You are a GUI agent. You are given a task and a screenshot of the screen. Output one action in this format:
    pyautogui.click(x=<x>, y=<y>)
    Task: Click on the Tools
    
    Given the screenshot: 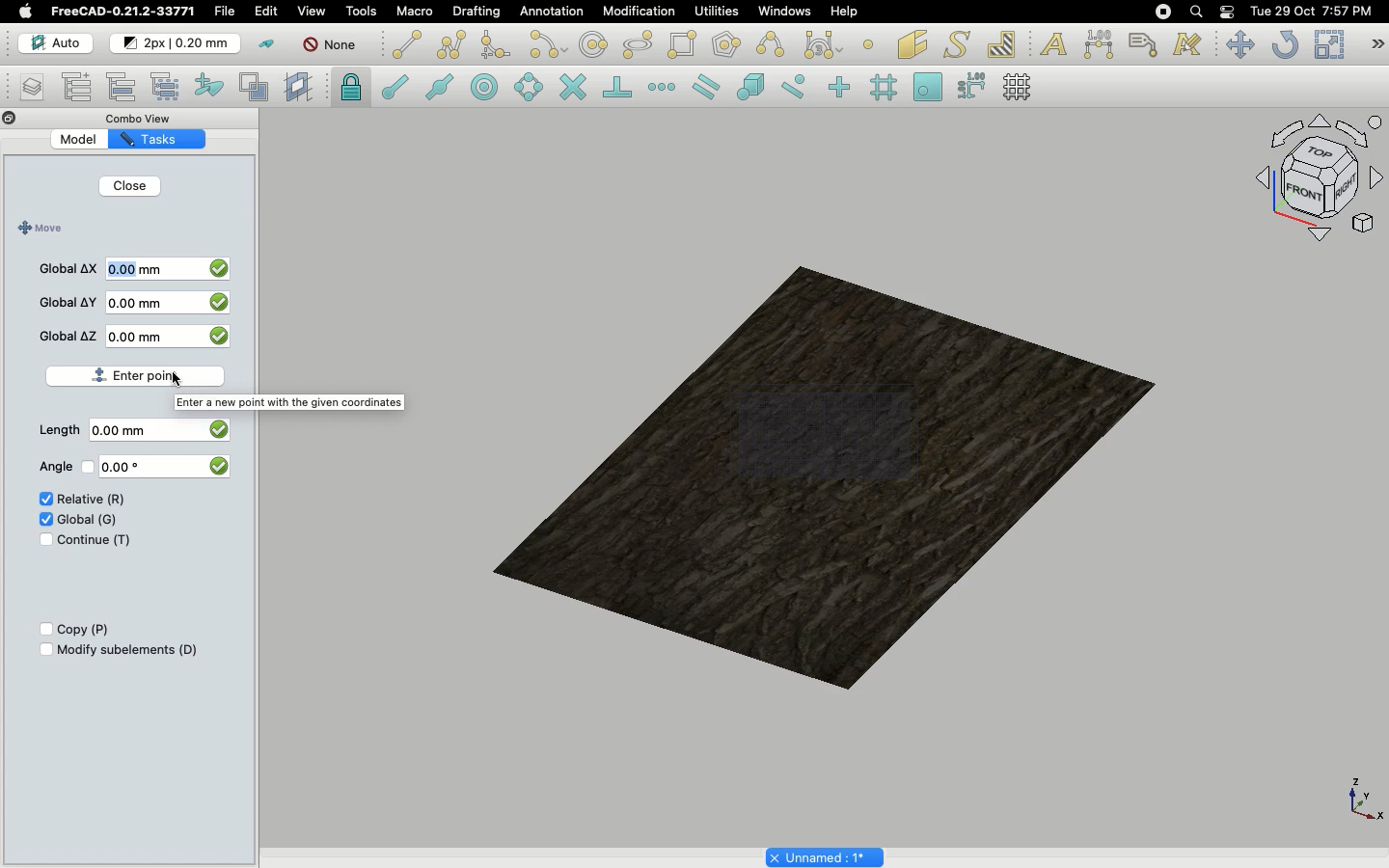 What is the action you would take?
    pyautogui.click(x=361, y=12)
    